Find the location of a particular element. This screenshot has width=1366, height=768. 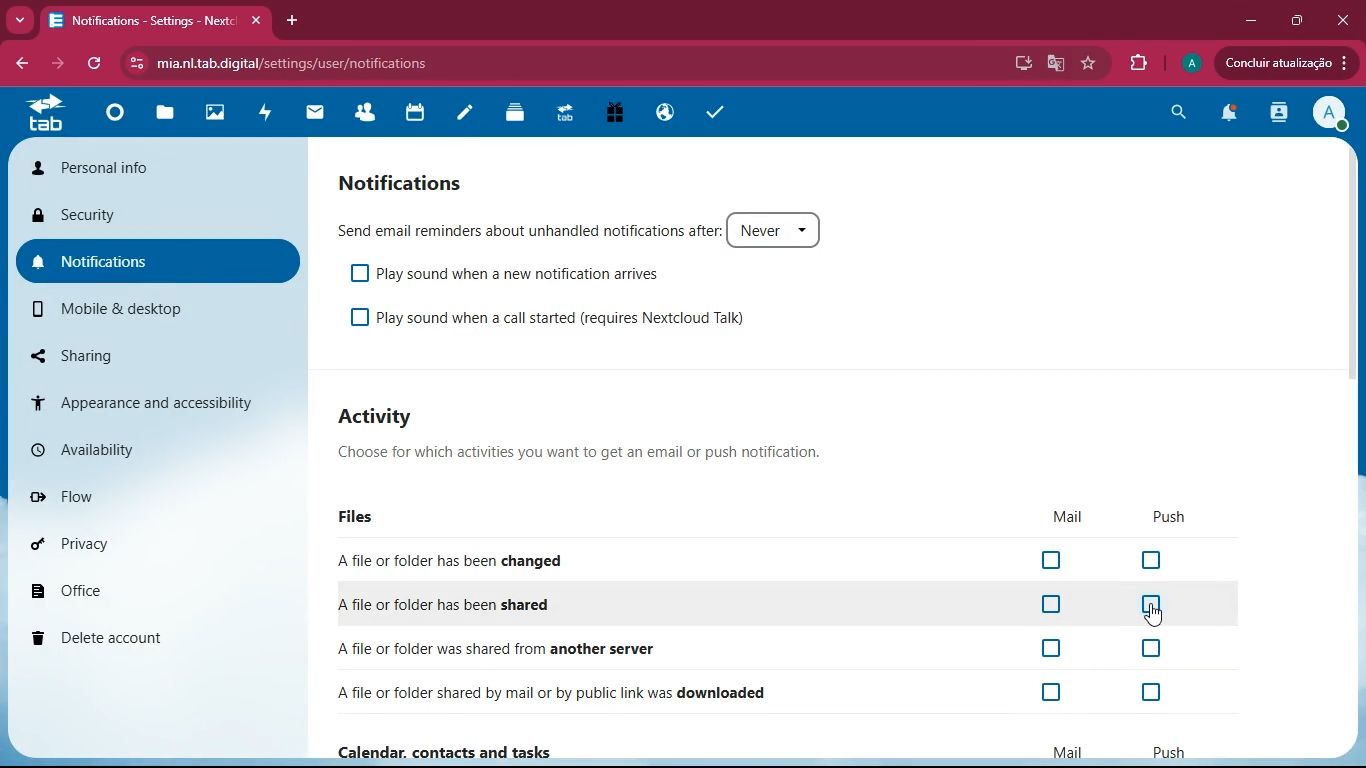

activity is located at coordinates (262, 112).